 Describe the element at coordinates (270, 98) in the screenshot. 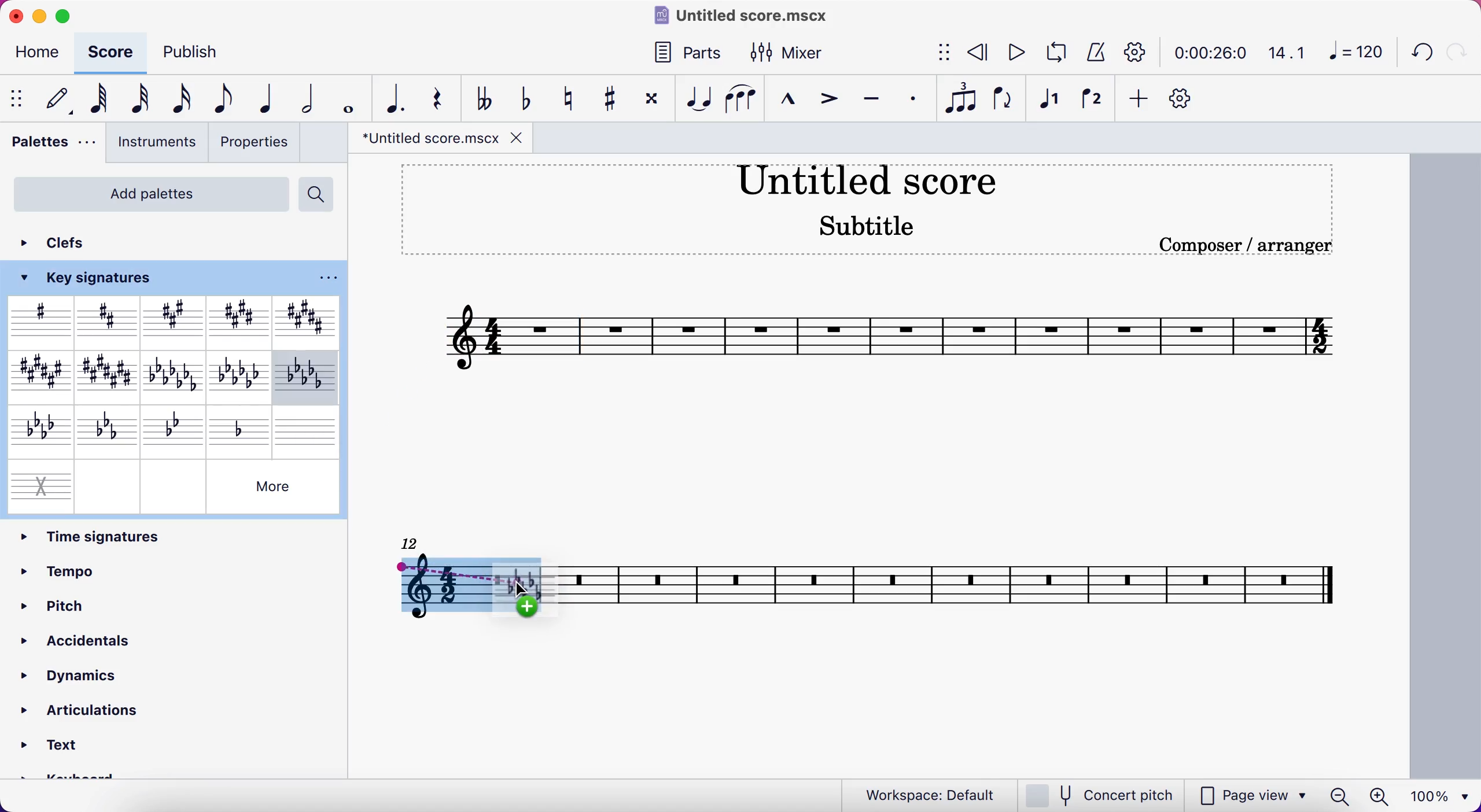

I see `quarter note` at that location.